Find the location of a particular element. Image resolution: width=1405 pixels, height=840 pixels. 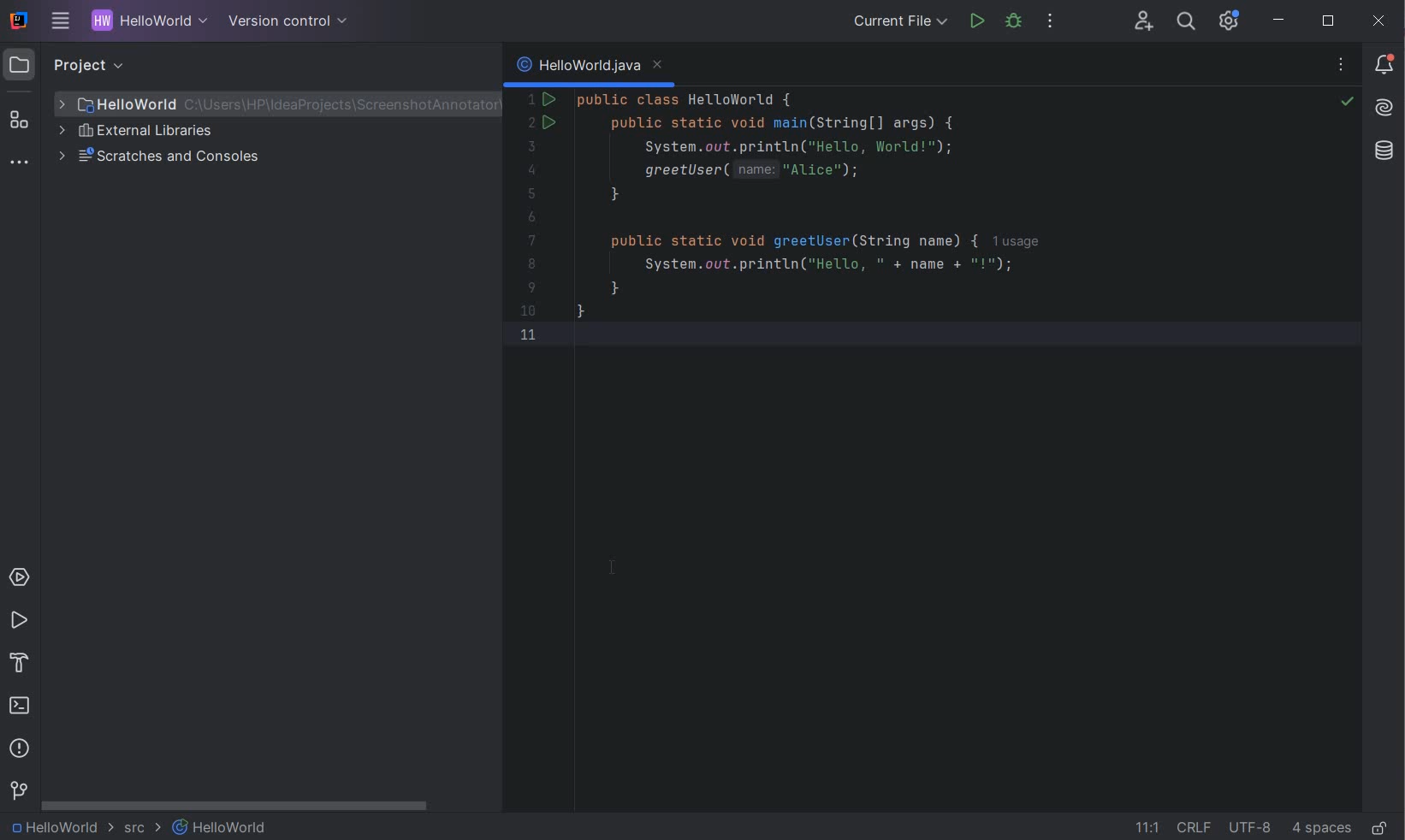

FILE NAME is located at coordinates (590, 68).